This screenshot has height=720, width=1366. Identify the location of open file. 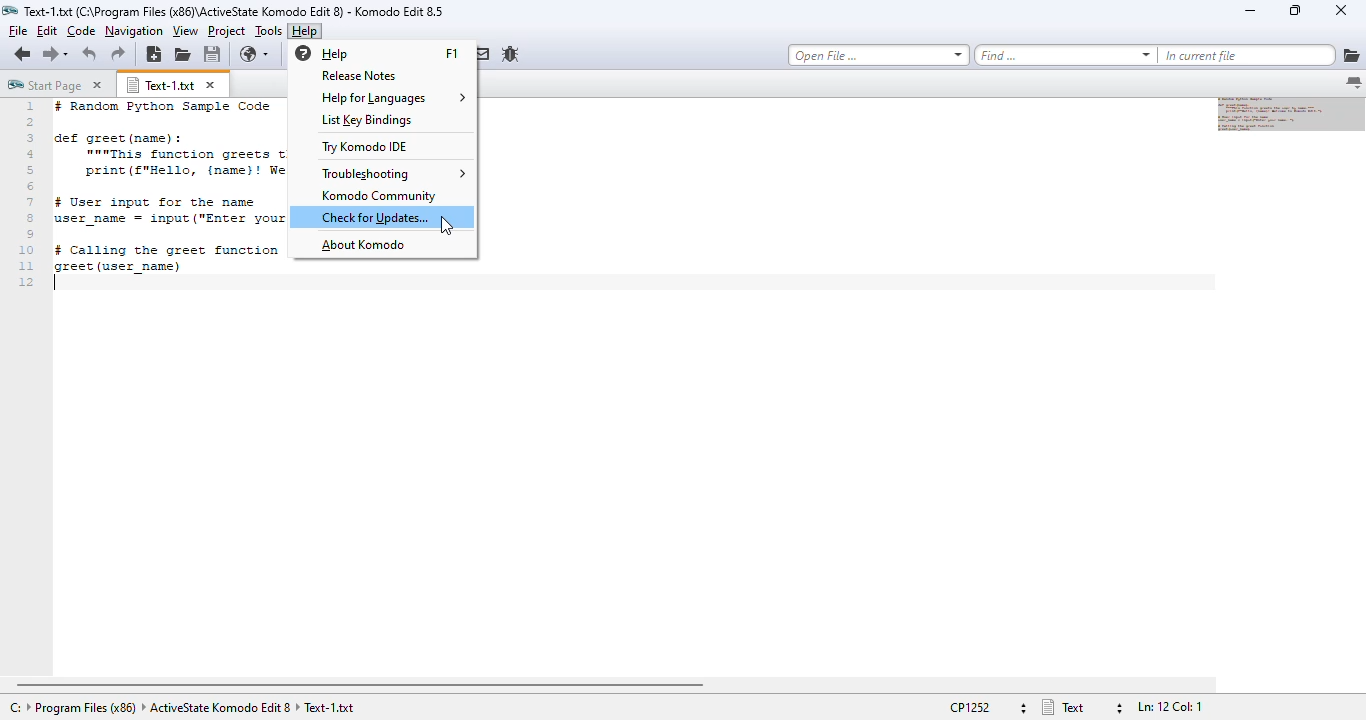
(182, 55).